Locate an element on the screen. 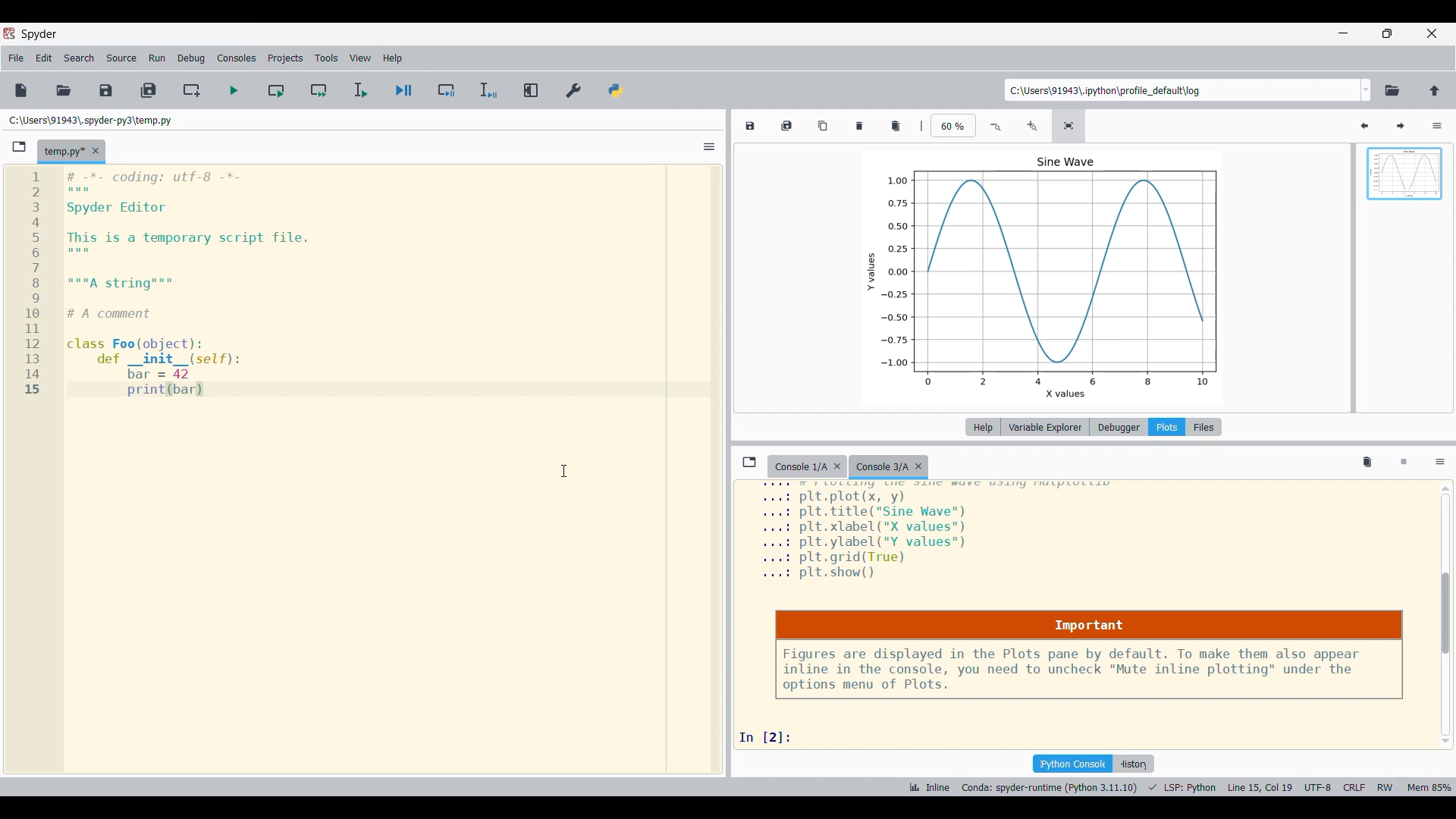 The width and height of the screenshot is (1456, 819). input is located at coordinates (771, 736).